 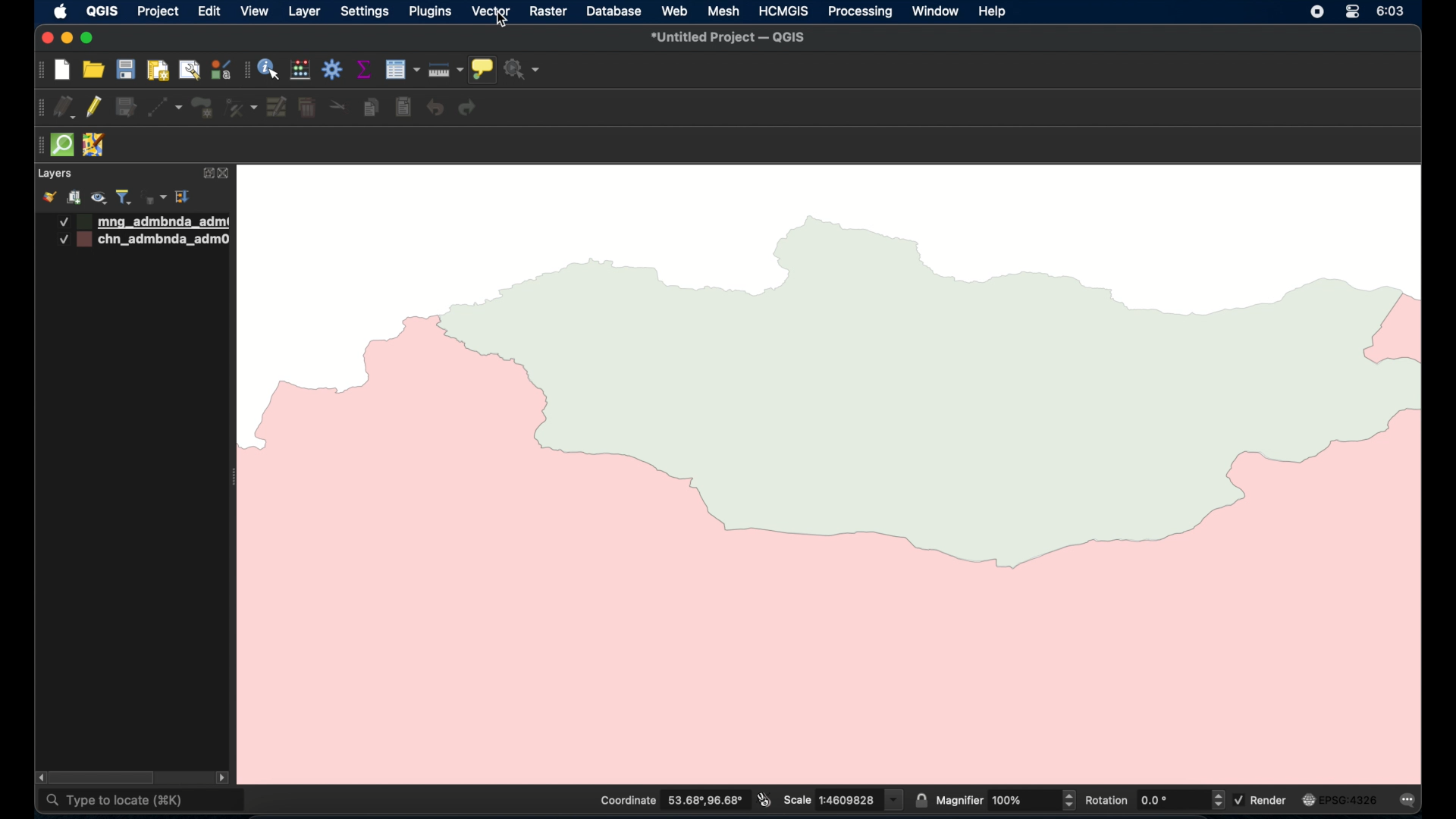 I want to click on quick osm, so click(x=63, y=145).